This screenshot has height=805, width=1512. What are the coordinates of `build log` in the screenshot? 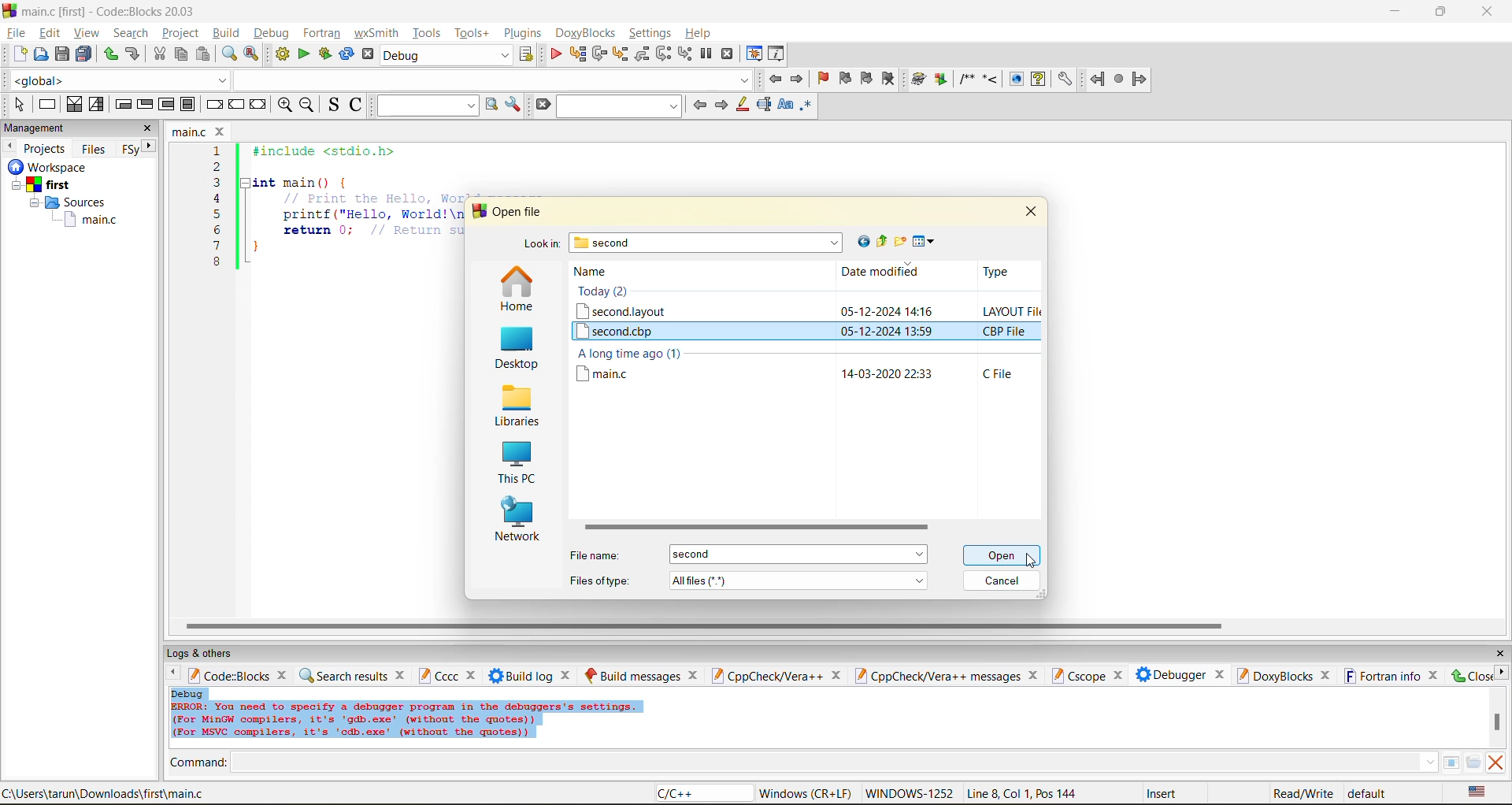 It's located at (521, 676).